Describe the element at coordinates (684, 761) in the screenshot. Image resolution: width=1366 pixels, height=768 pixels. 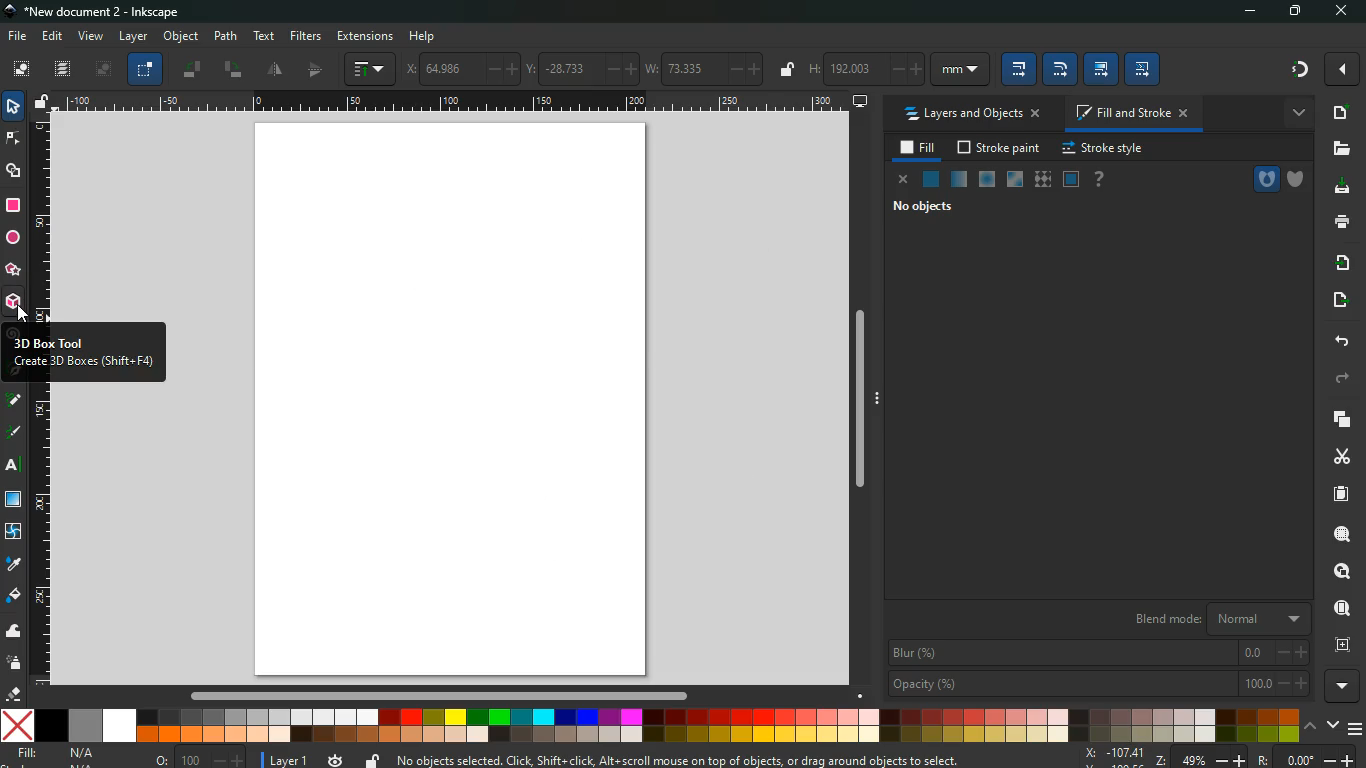
I see `message` at that location.